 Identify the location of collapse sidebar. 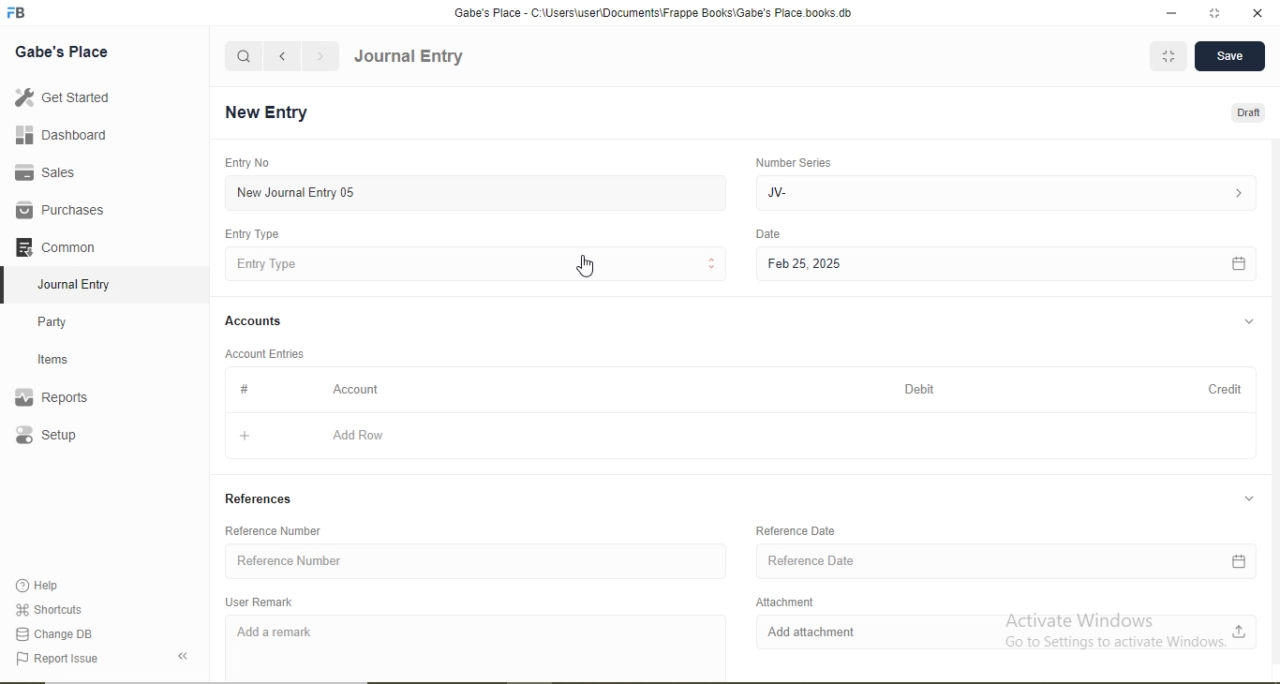
(186, 656).